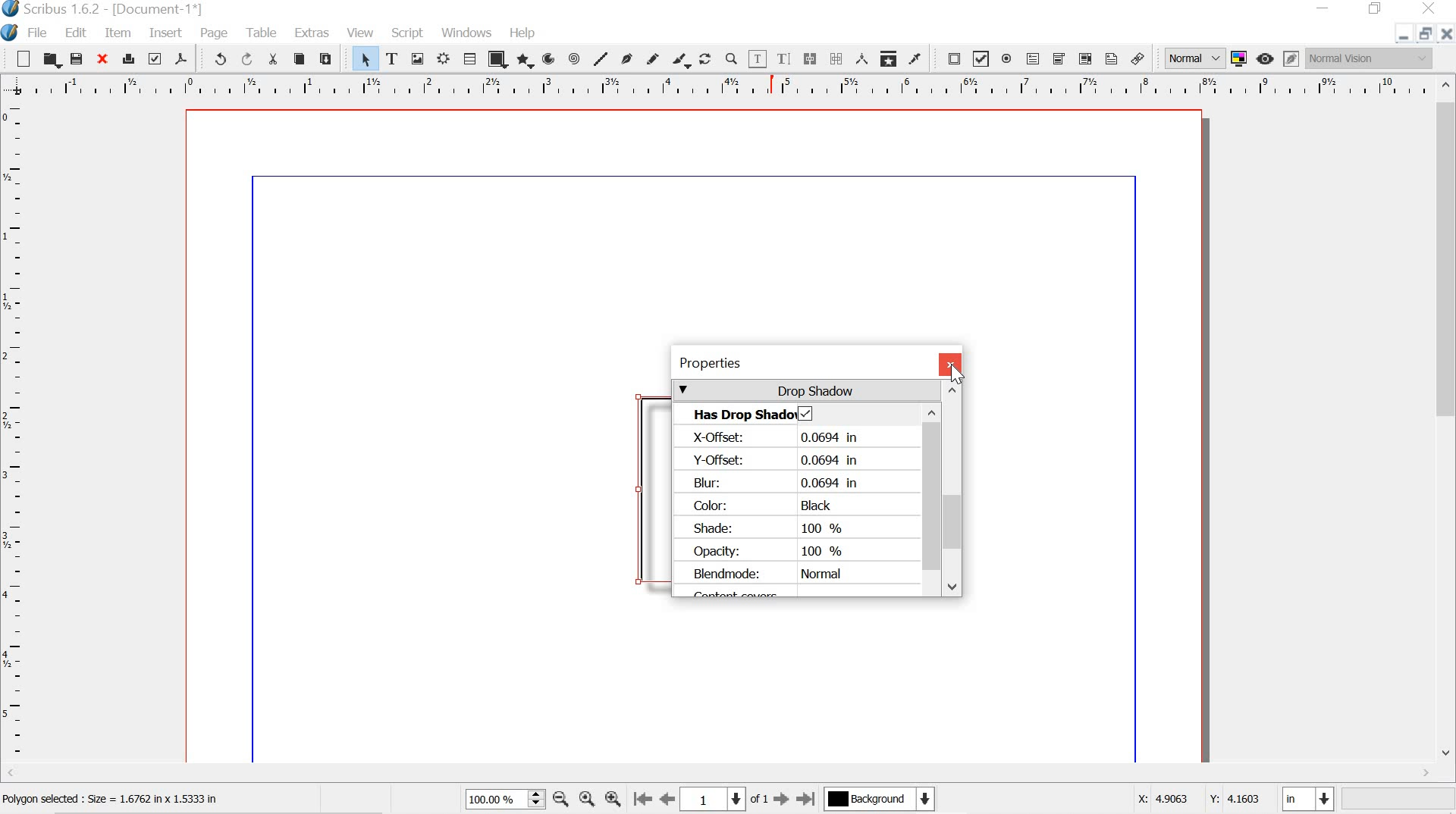 This screenshot has height=814, width=1456. What do you see at coordinates (643, 800) in the screenshot?
I see `go to the first page` at bounding box center [643, 800].